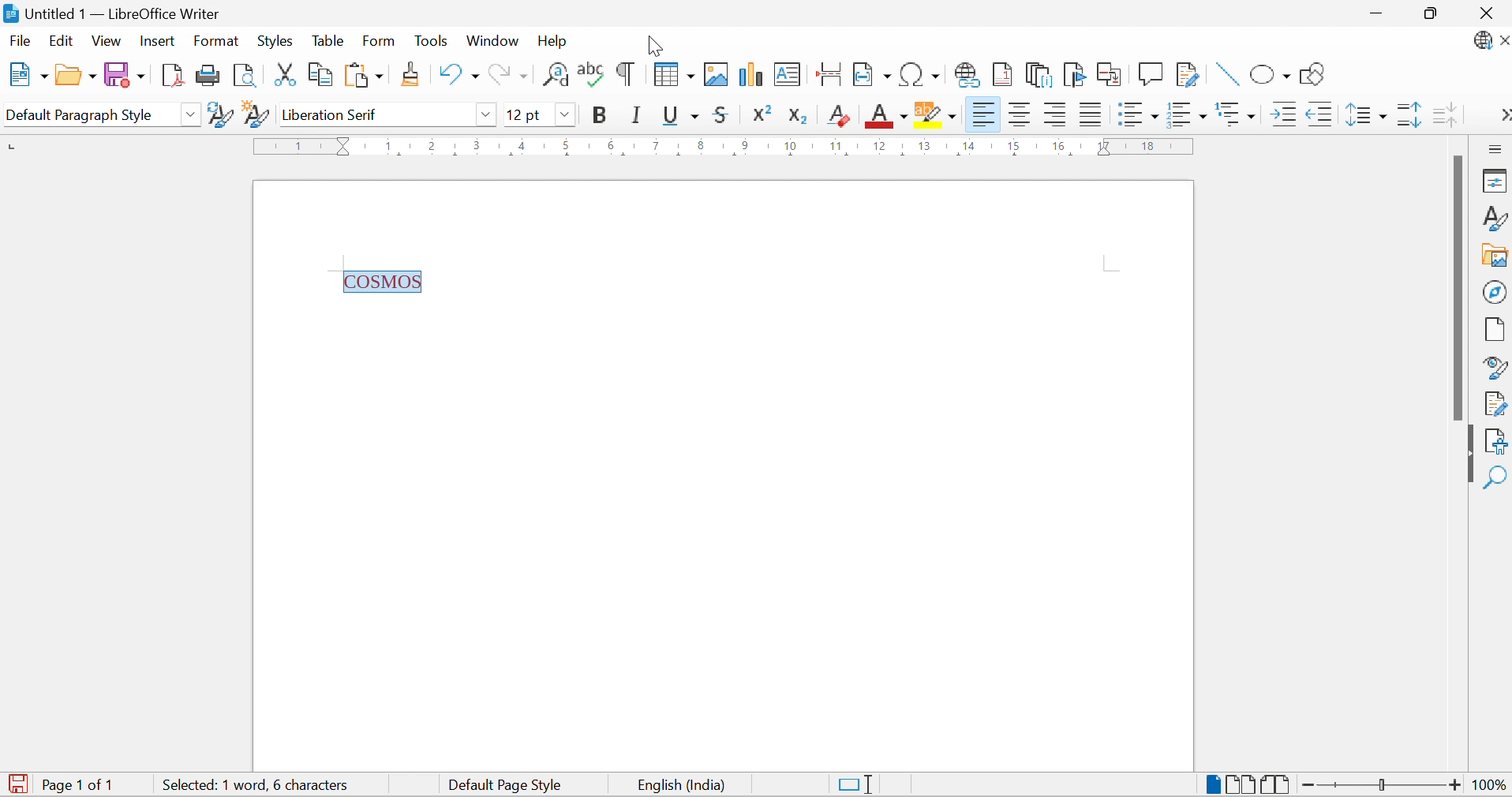 The height and width of the screenshot is (797, 1512). Describe the element at coordinates (507, 73) in the screenshot. I see `Redo` at that location.